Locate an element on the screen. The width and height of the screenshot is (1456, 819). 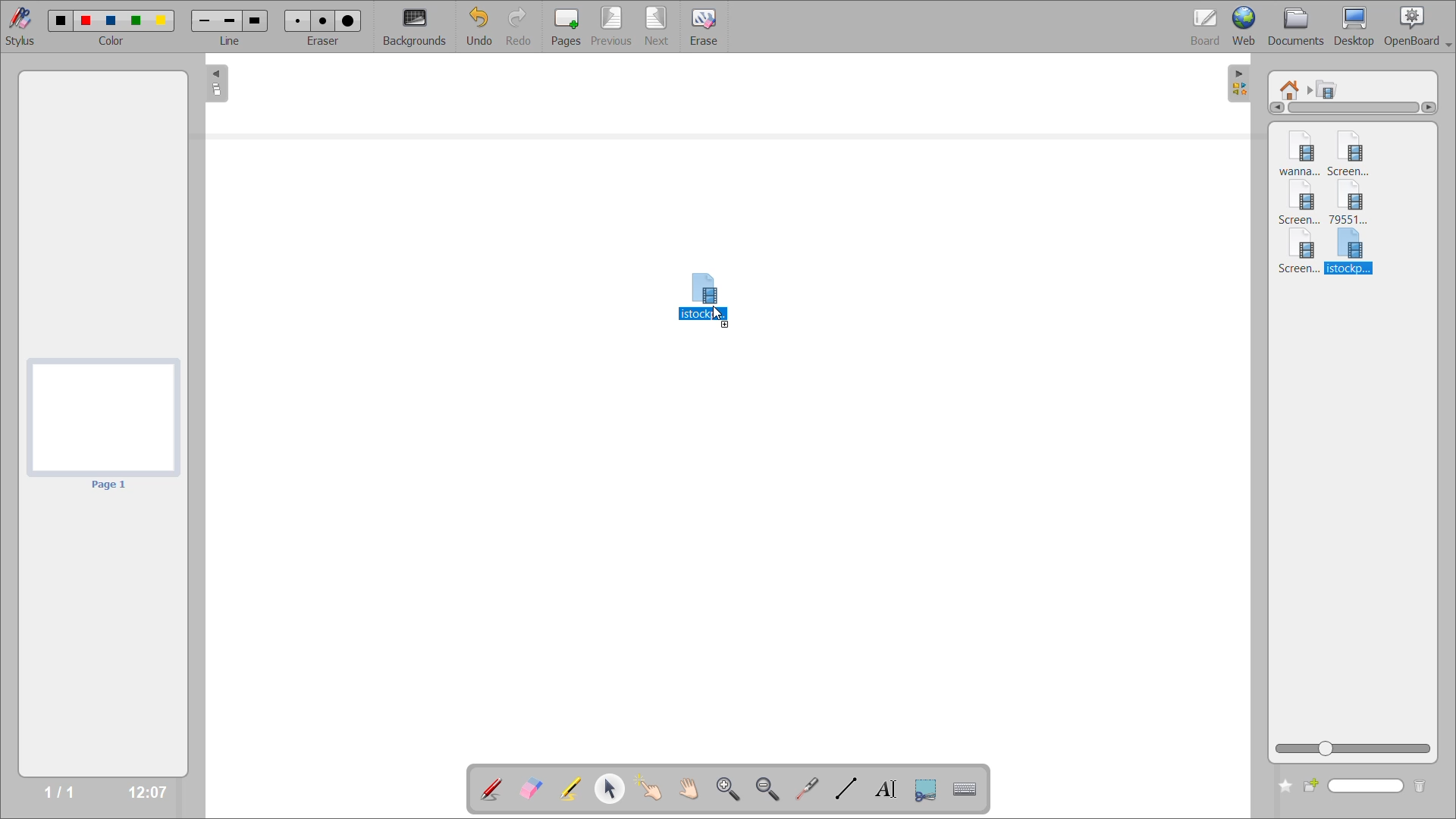
horizontal scroll bar is located at coordinates (1359, 111).